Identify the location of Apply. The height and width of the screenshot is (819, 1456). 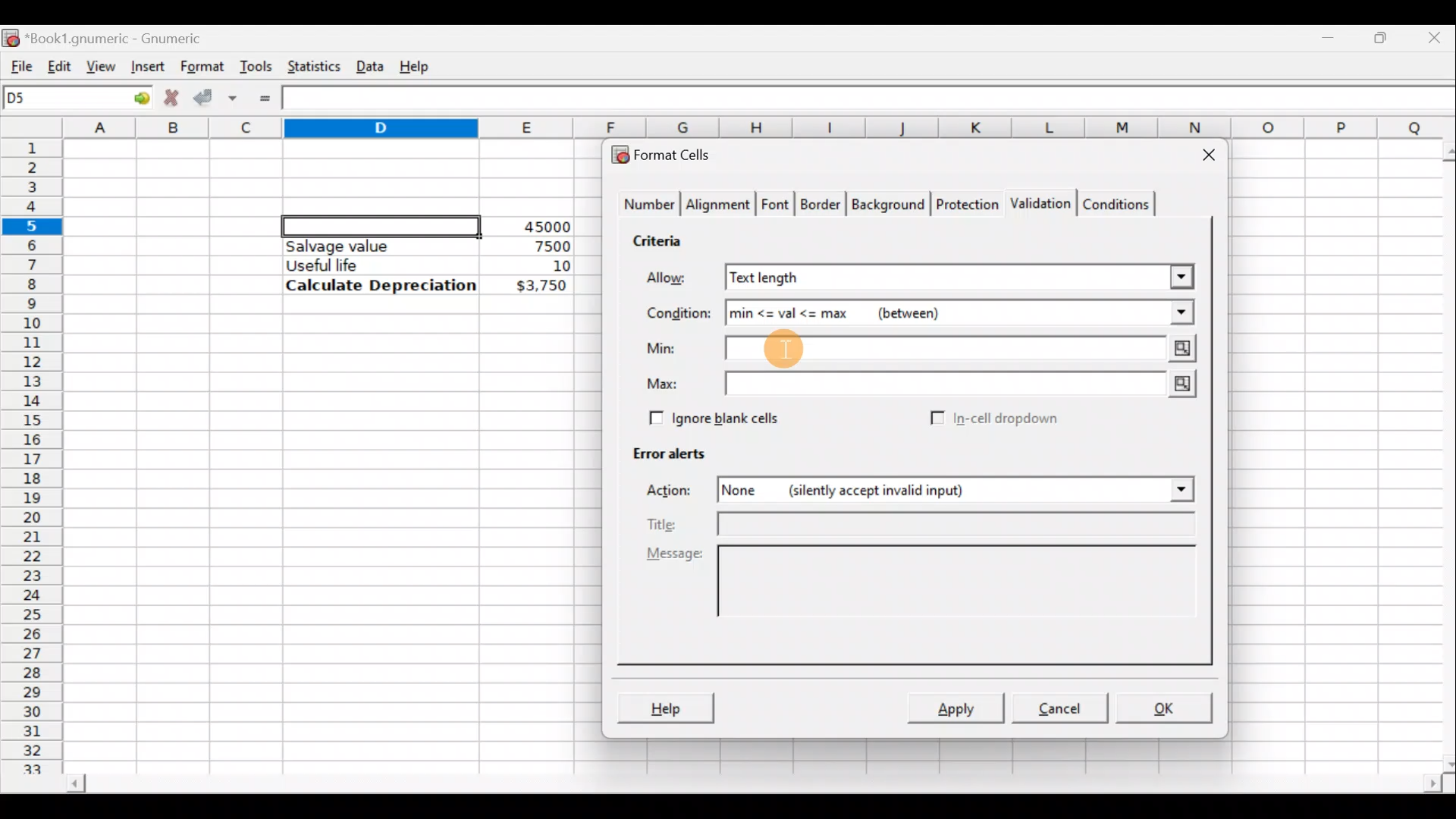
(962, 707).